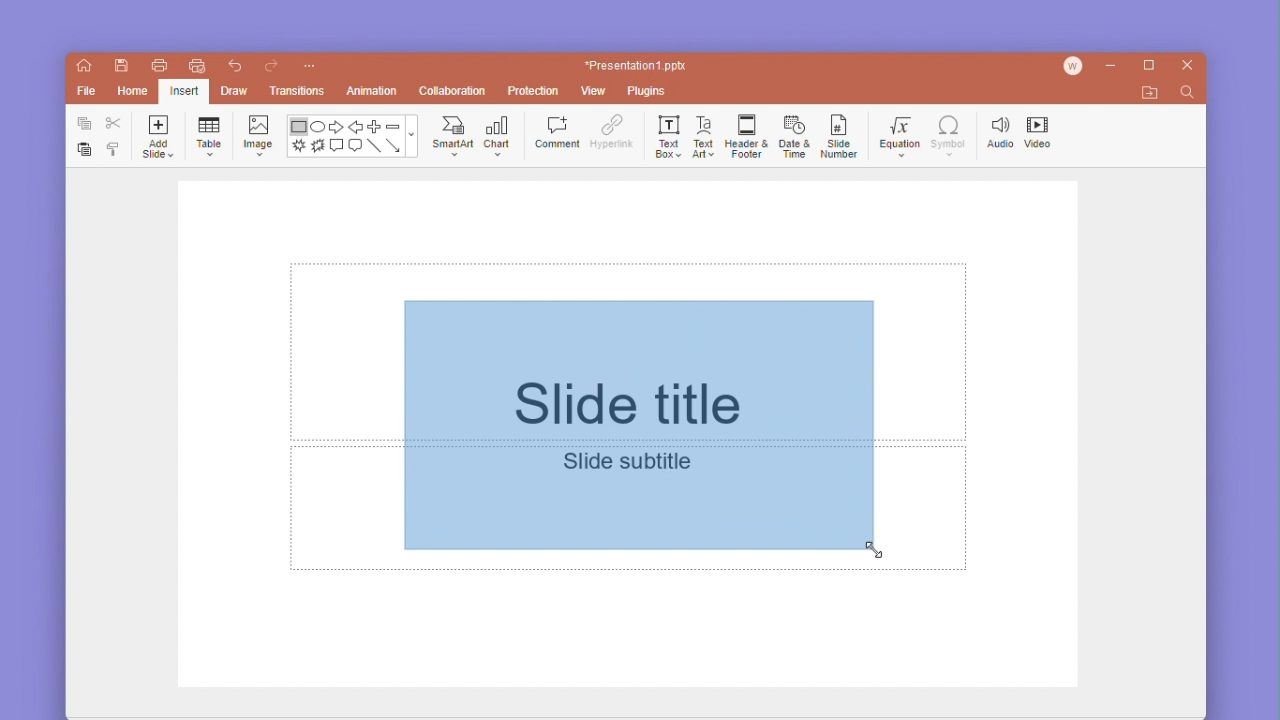 This screenshot has width=1280, height=720. Describe the element at coordinates (336, 146) in the screenshot. I see `comment text box` at that location.